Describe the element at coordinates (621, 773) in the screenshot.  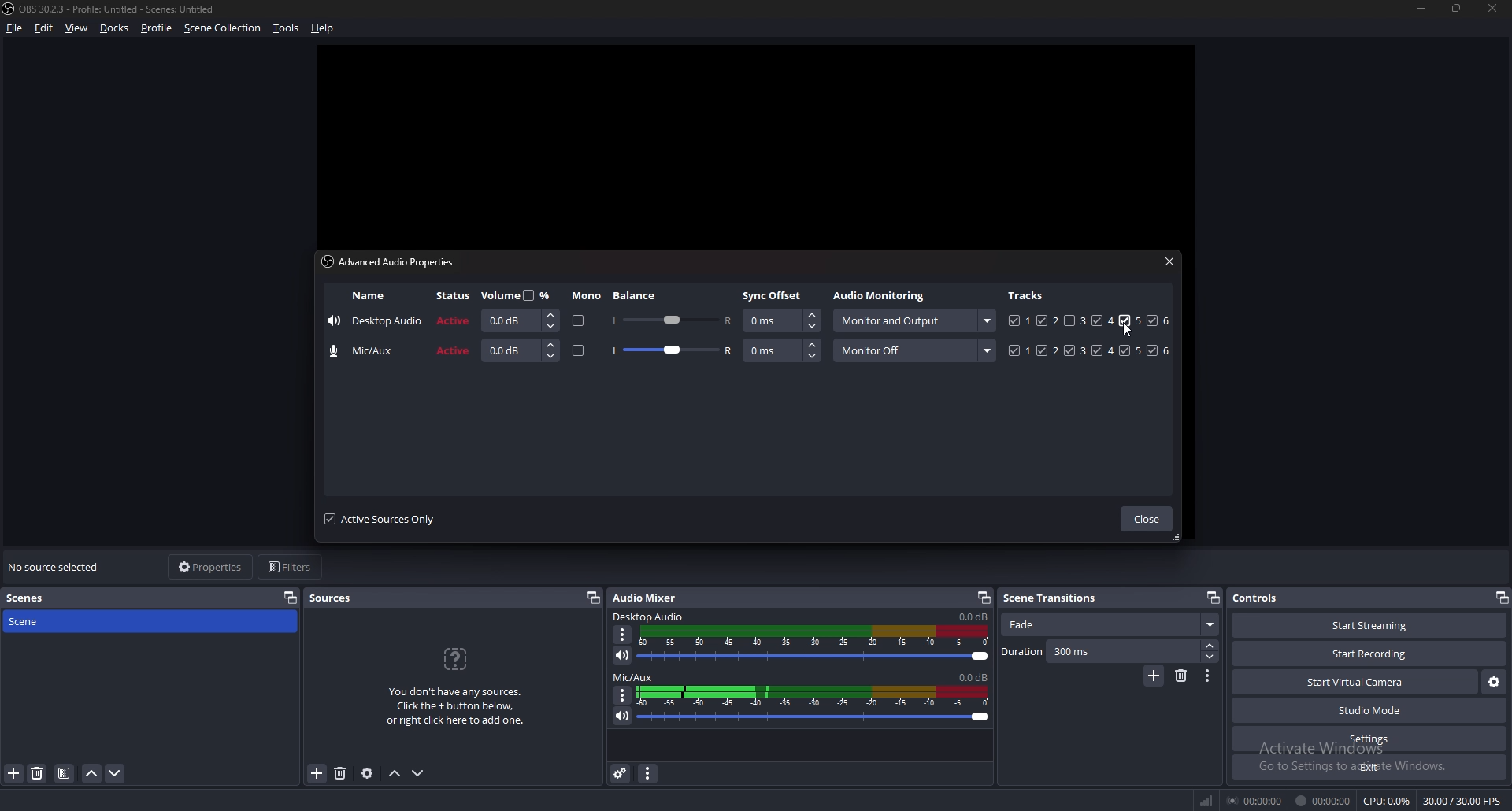
I see `advanced audio properties` at that location.